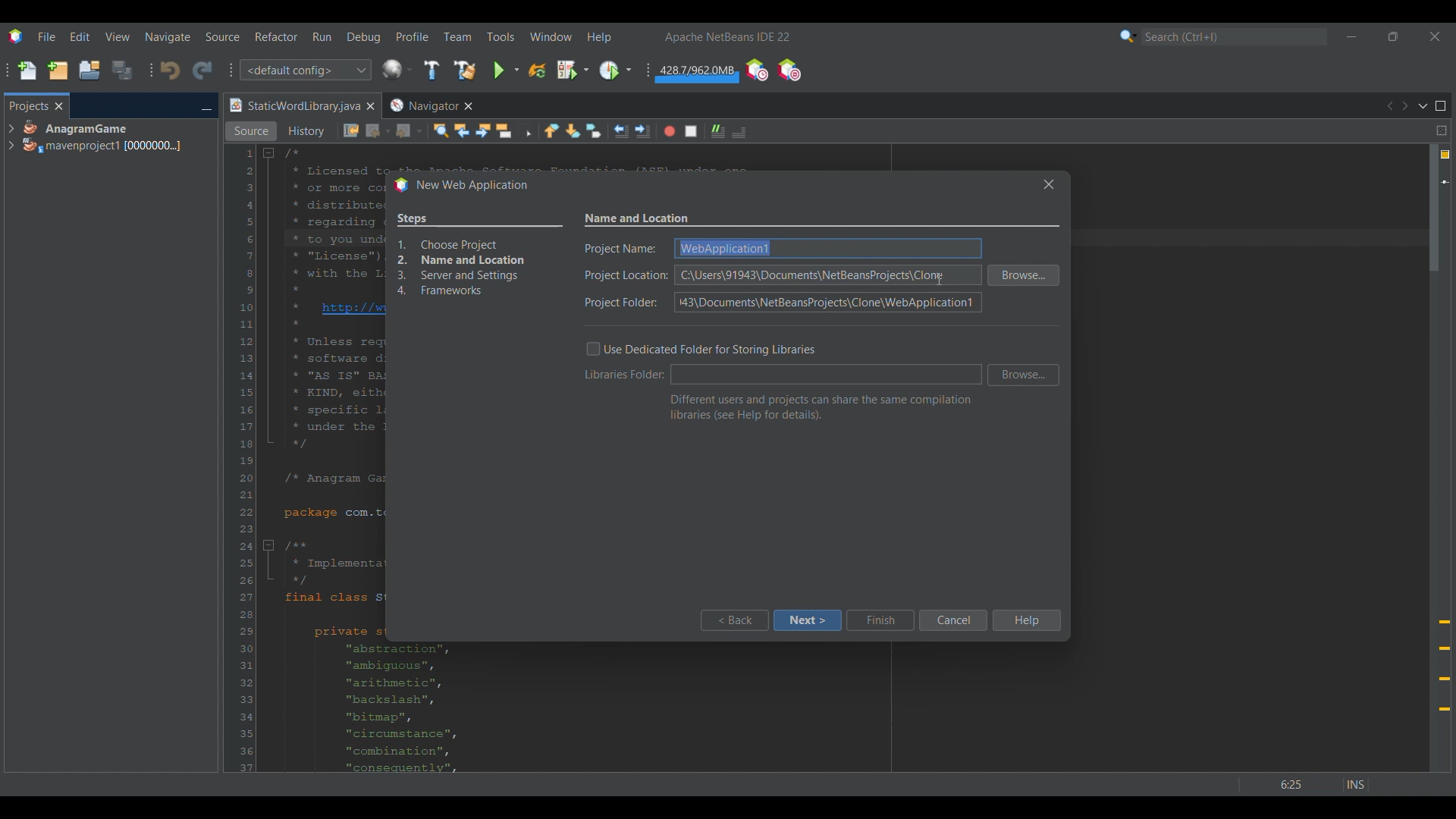 Image resolution: width=1456 pixels, height=819 pixels. I want to click on Split window horizontally or vertically, so click(1441, 130).